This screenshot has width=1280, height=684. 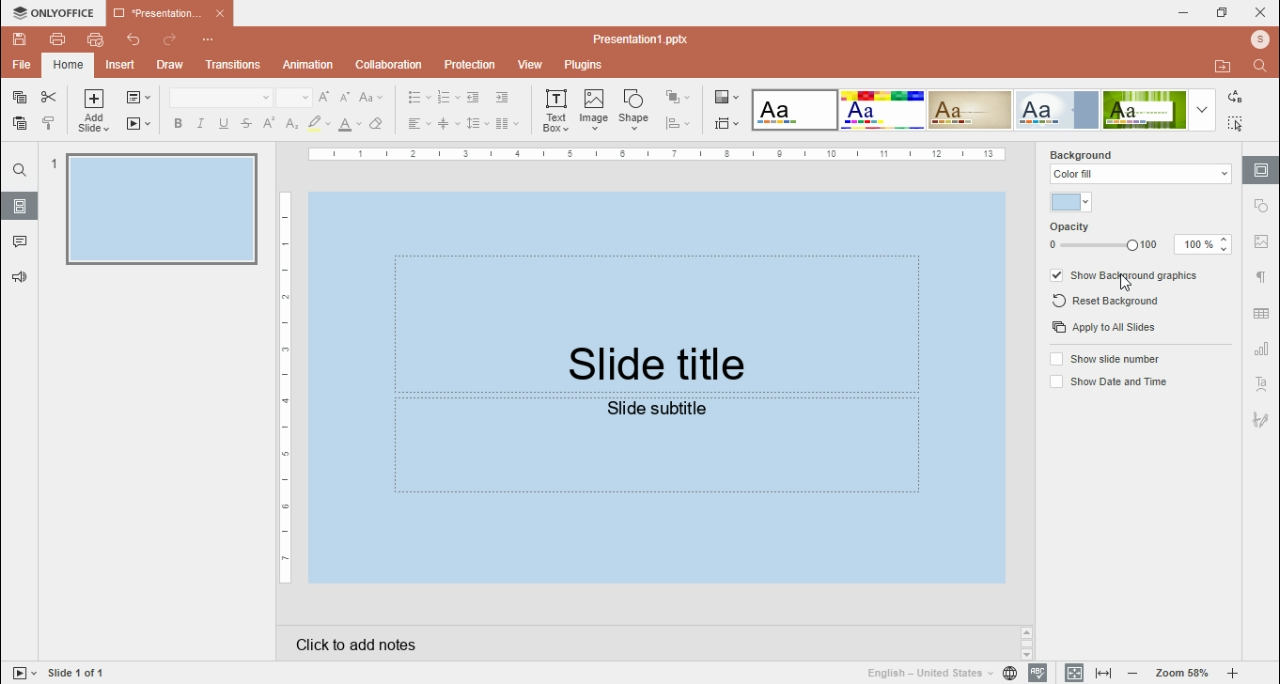 I want to click on find, so click(x=20, y=170).